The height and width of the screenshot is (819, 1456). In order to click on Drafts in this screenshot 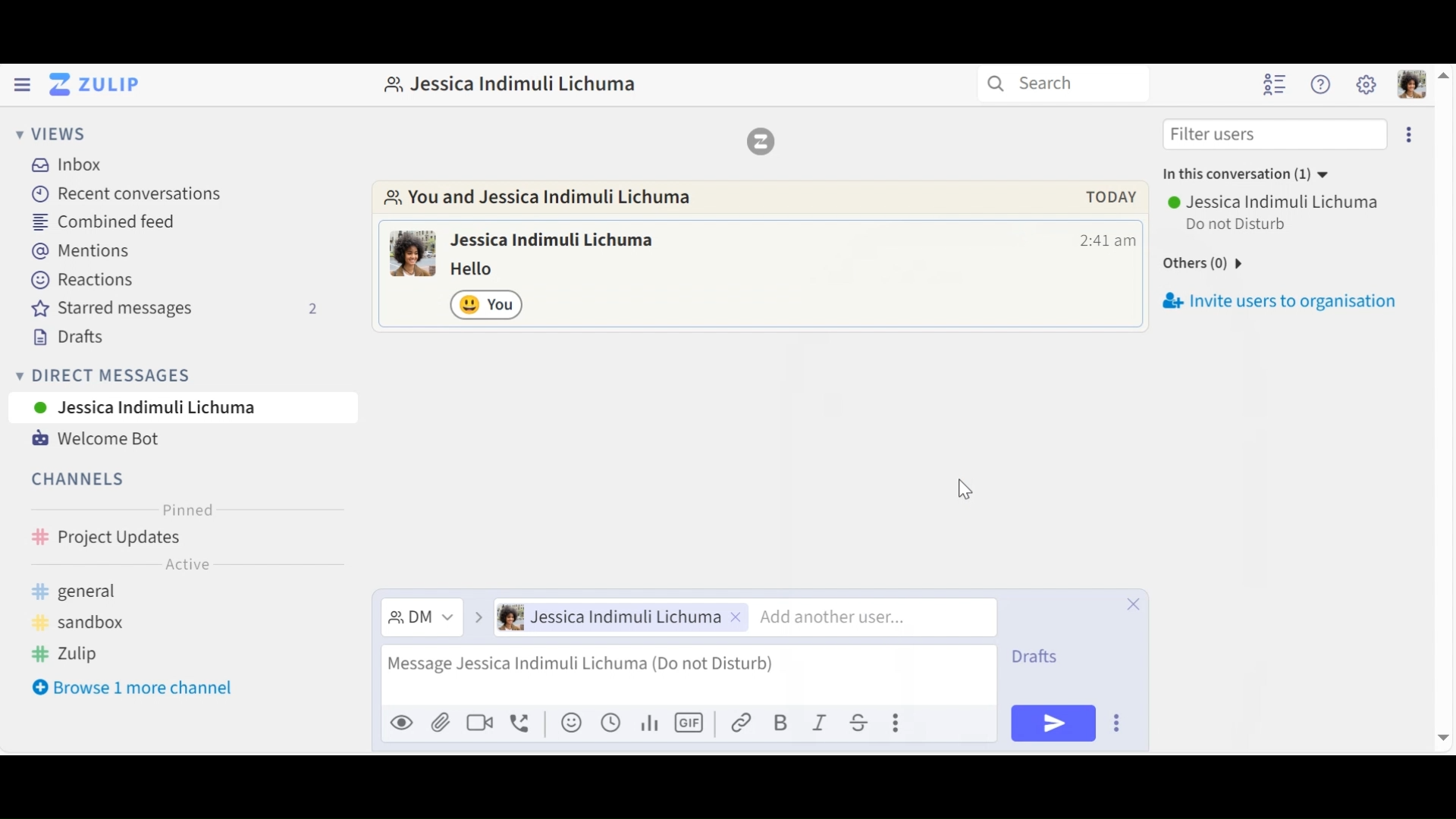, I will do `click(1048, 657)`.